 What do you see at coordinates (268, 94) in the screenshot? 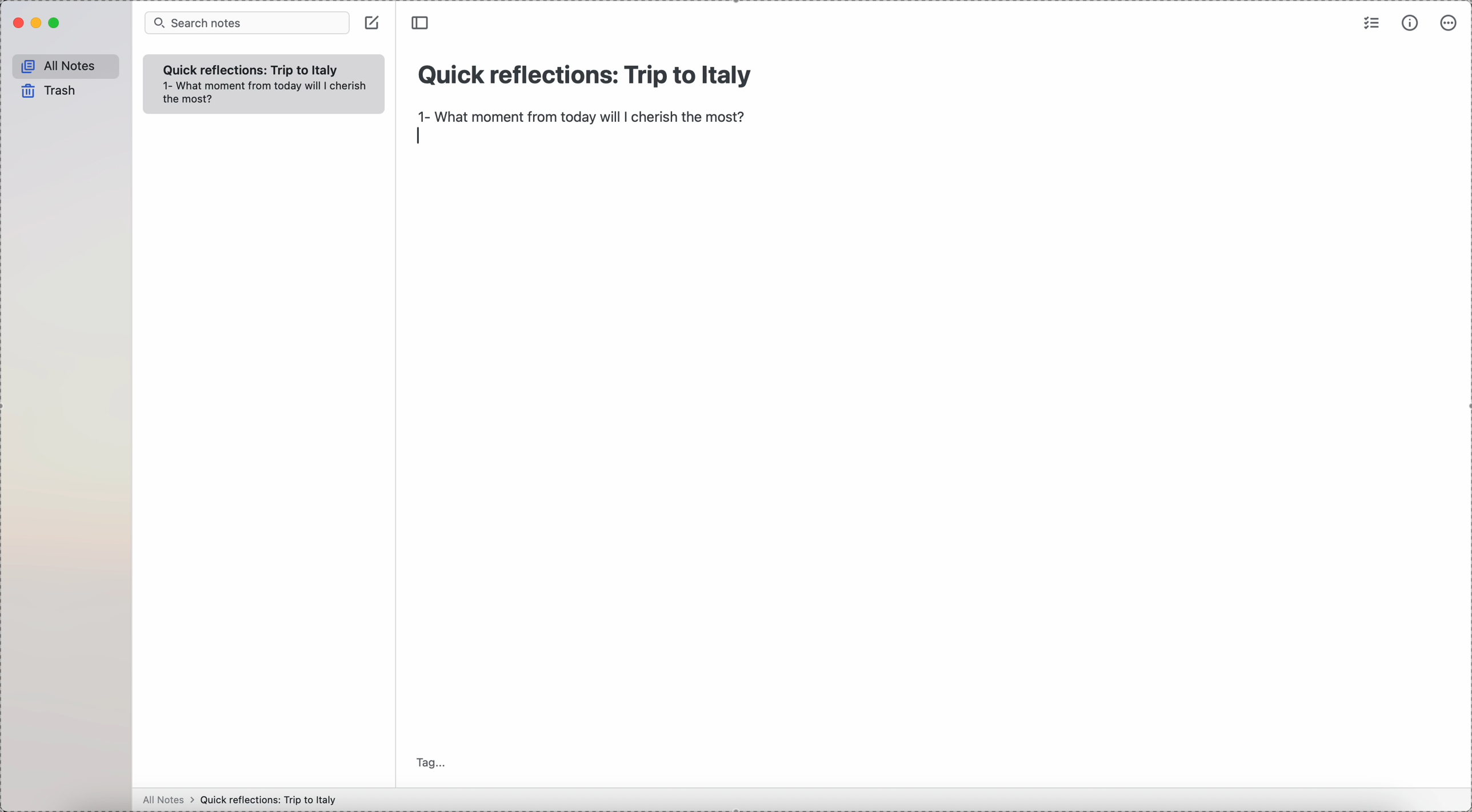
I see `1- What moment from today will I cherish the most?` at bounding box center [268, 94].